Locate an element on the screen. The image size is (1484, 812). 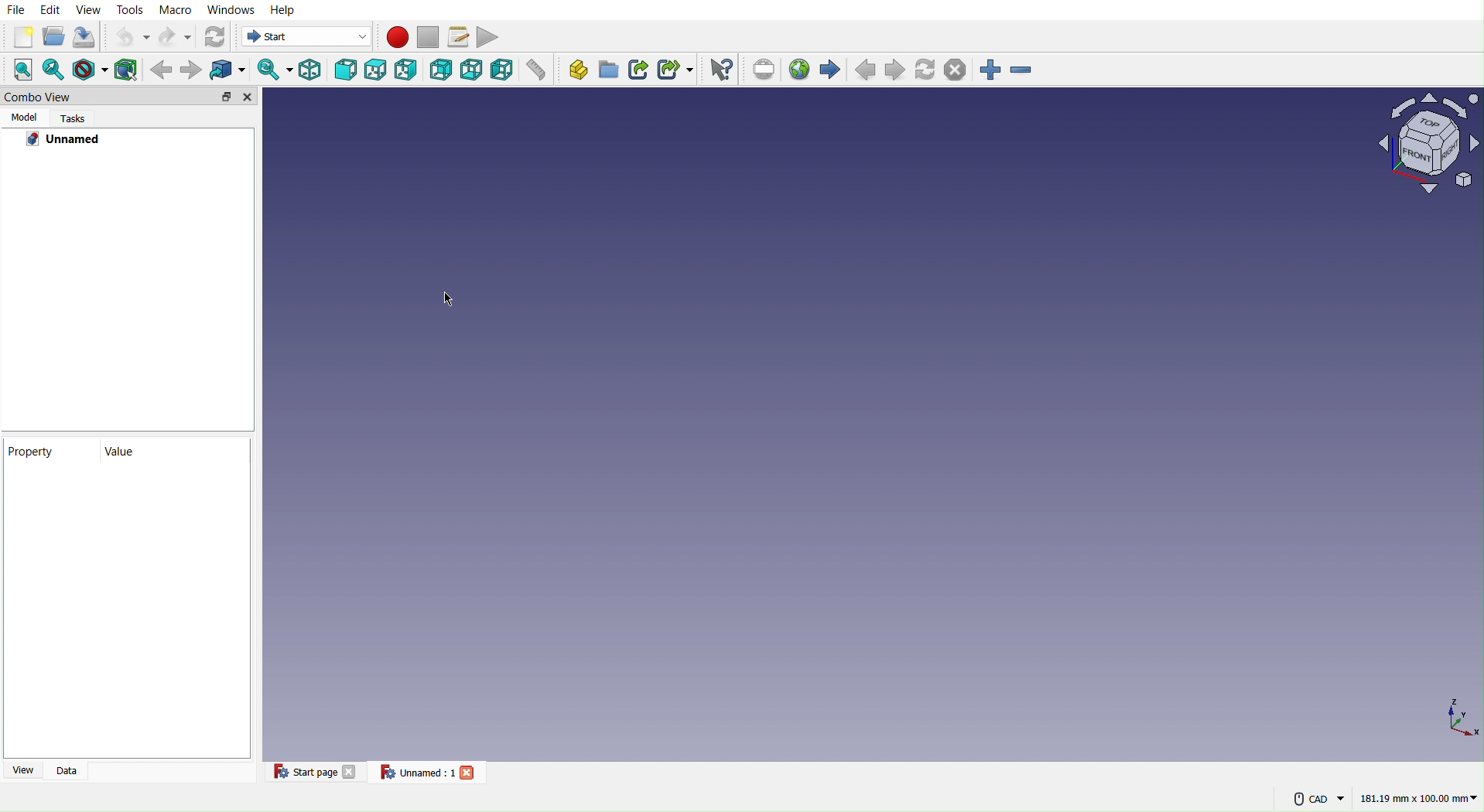
Create a new part is located at coordinates (573, 69).